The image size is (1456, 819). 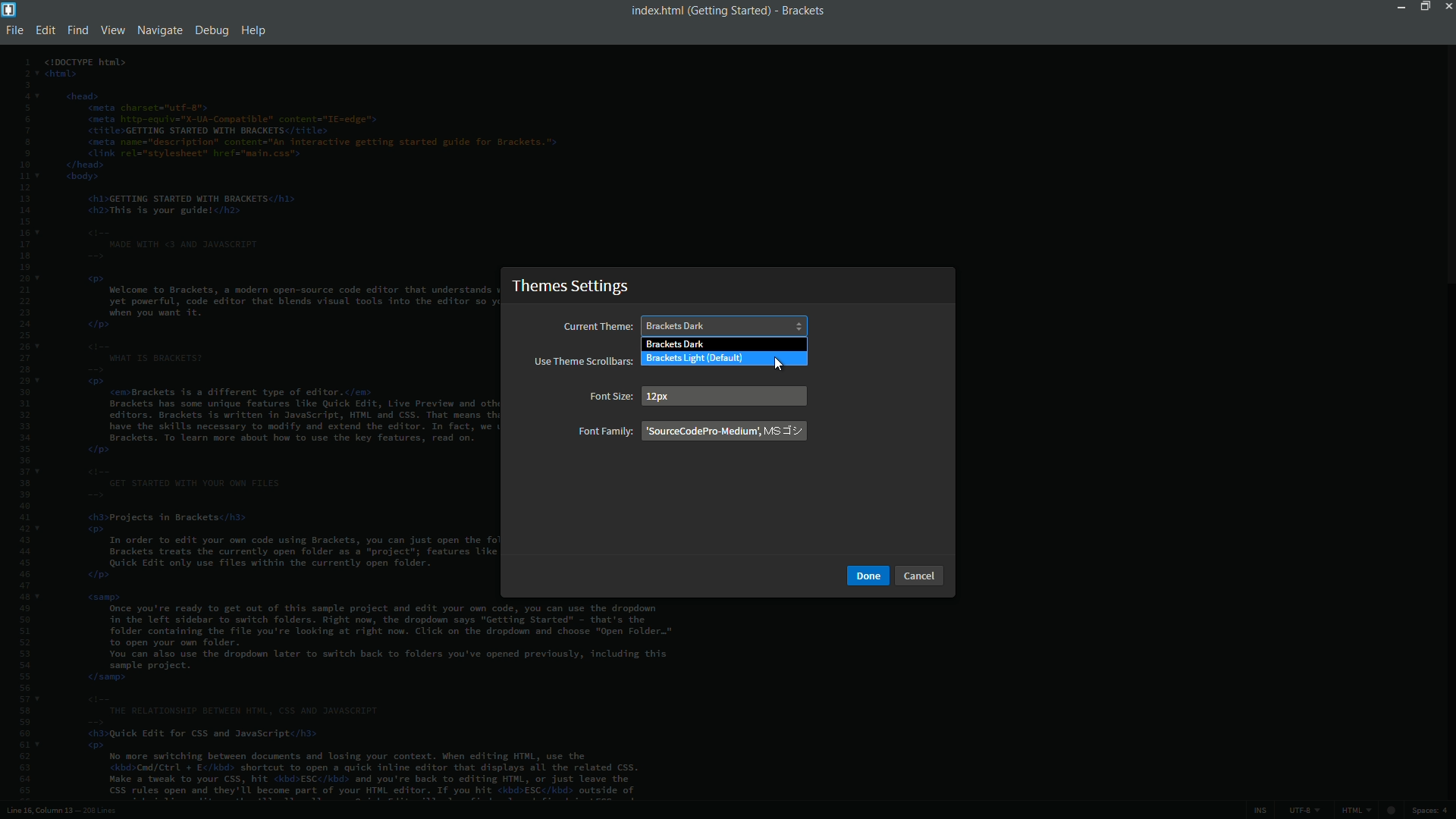 I want to click on cancel, so click(x=919, y=575).